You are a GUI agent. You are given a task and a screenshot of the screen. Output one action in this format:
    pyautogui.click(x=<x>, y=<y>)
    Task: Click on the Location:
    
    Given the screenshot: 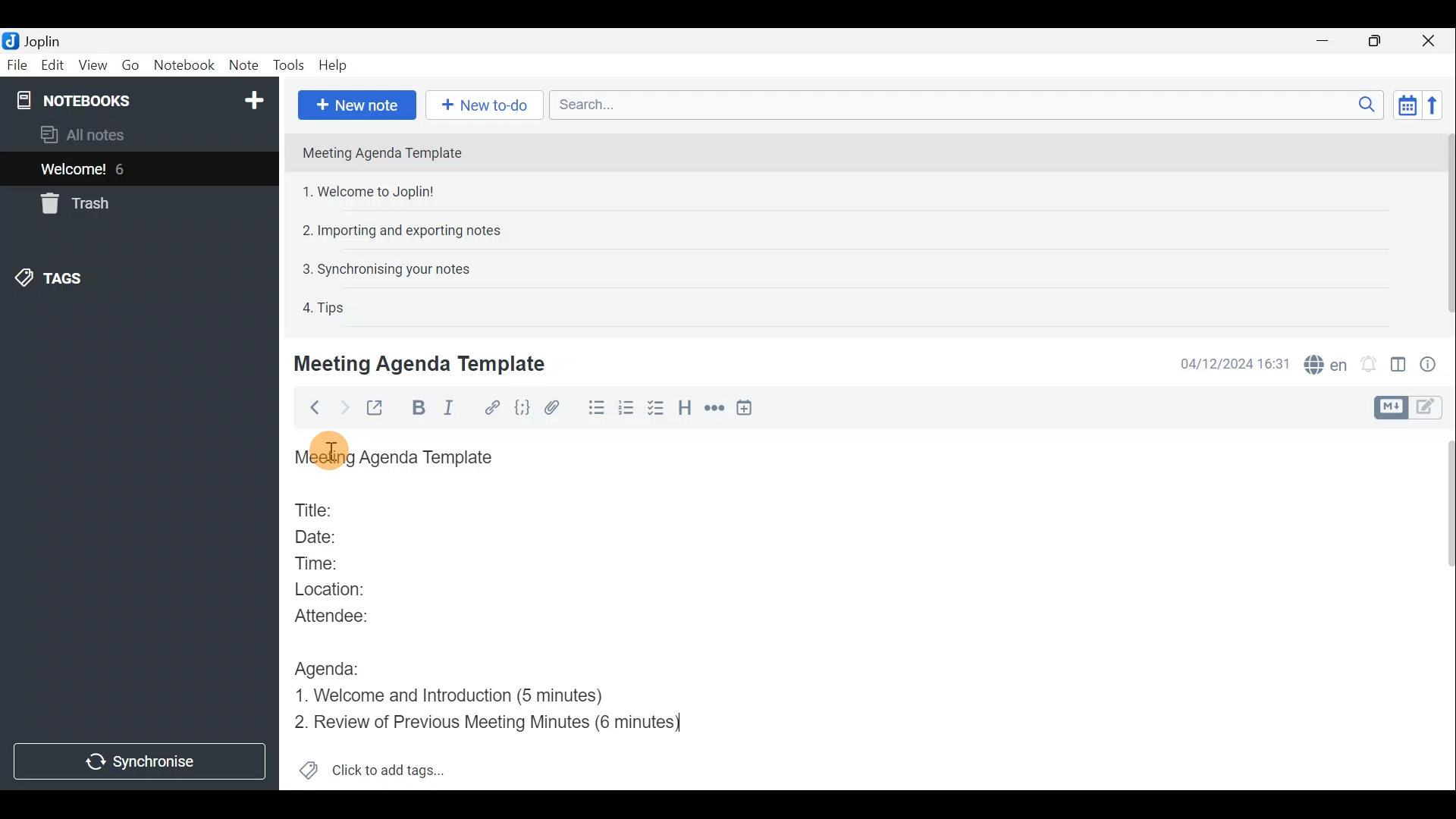 What is the action you would take?
    pyautogui.click(x=335, y=590)
    